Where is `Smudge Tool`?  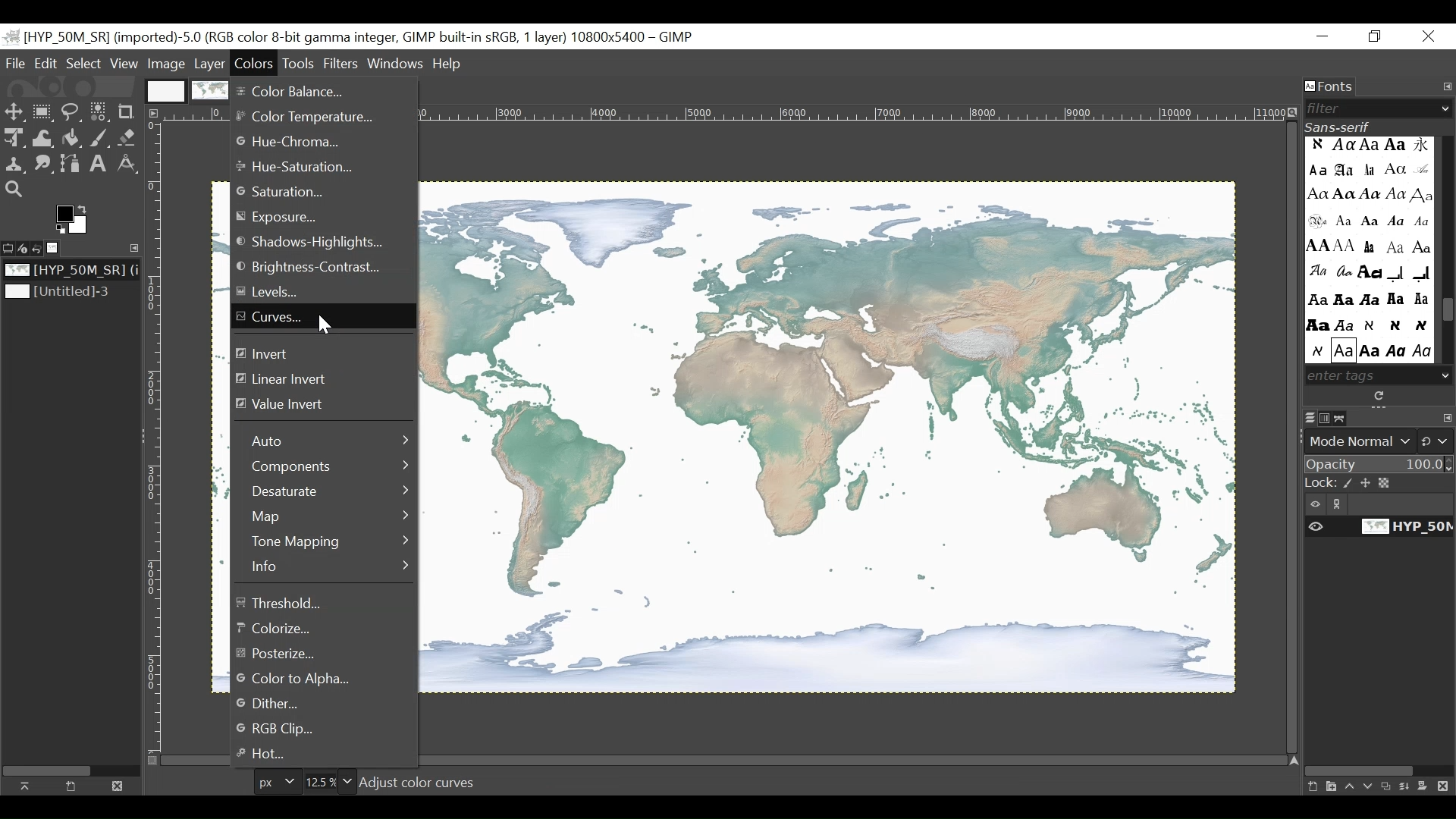 Smudge Tool is located at coordinates (42, 165).